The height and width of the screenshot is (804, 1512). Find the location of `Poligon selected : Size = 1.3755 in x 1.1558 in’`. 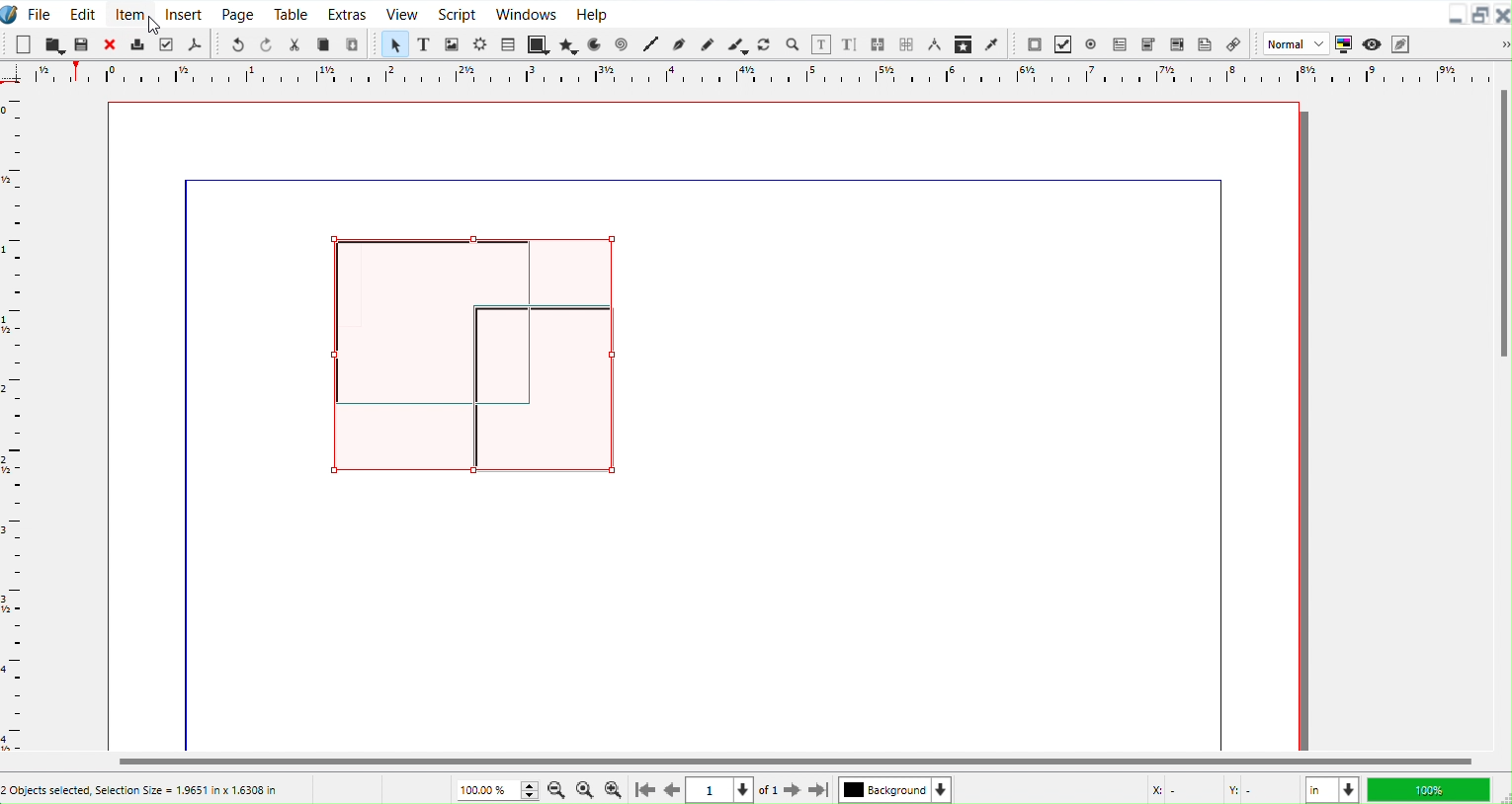

Poligon selected : Size = 1.3755 in x 1.1558 in’ is located at coordinates (140, 789).